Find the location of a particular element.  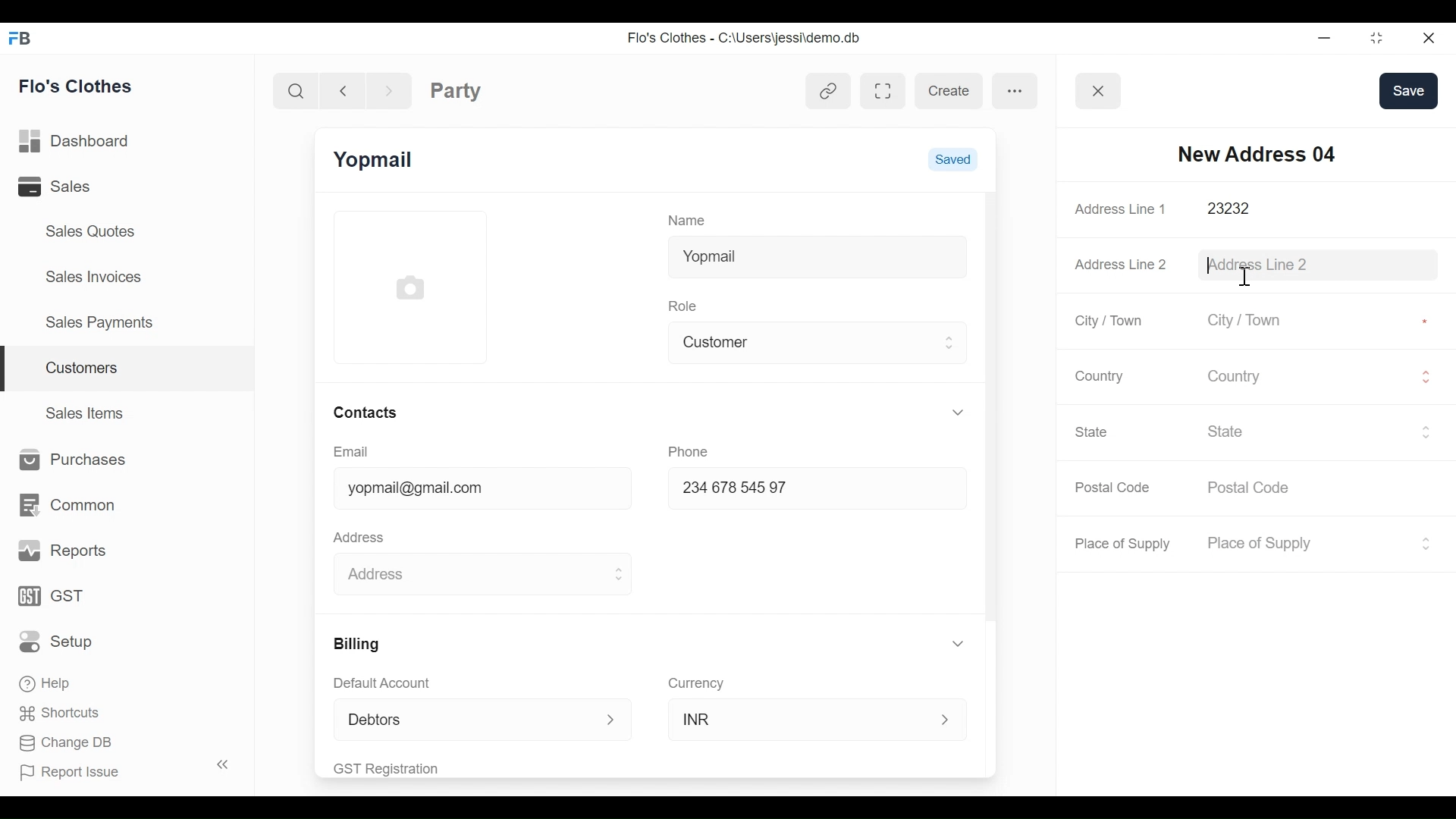

Navigate back is located at coordinates (341, 89).